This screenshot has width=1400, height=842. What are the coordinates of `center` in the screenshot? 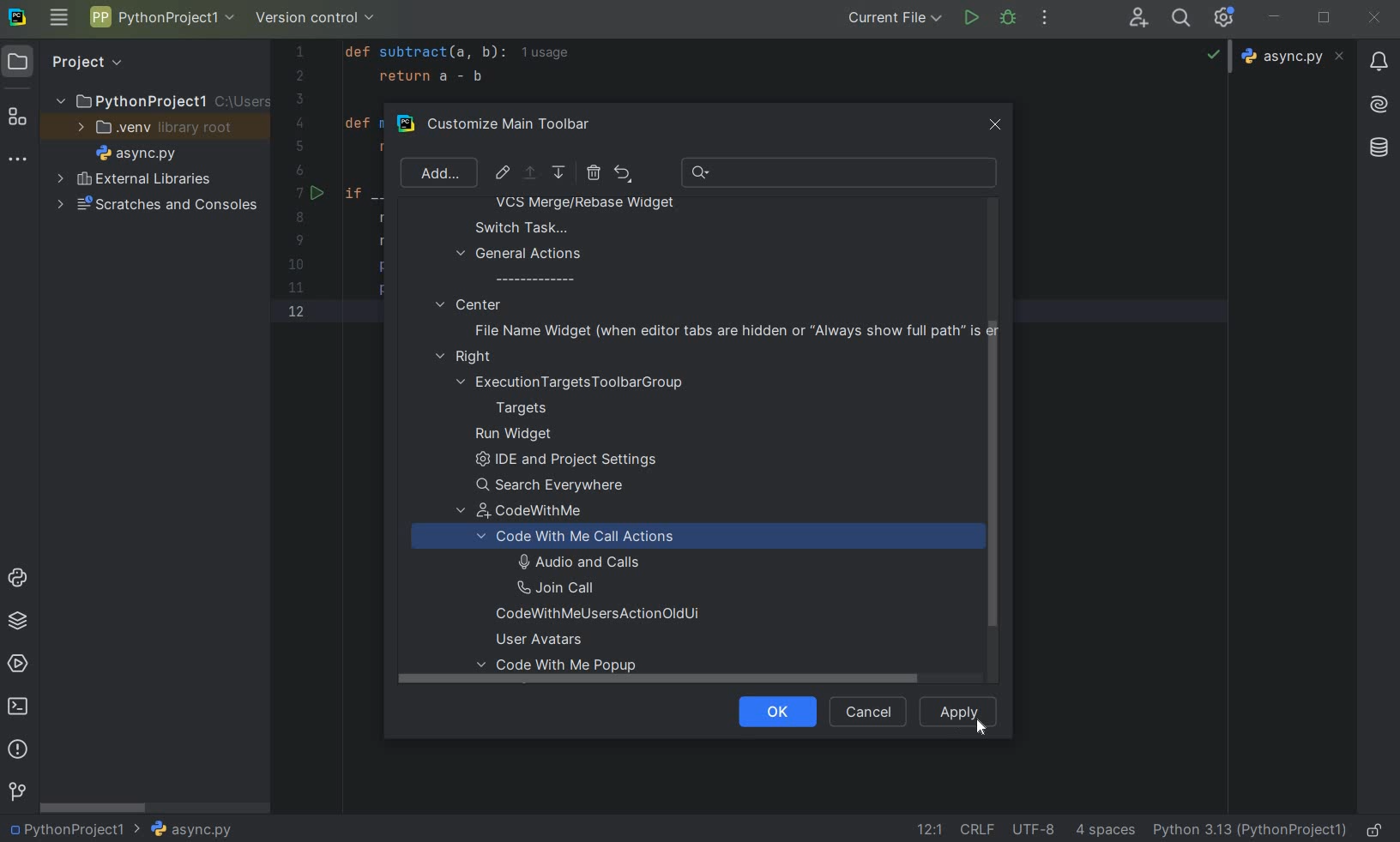 It's located at (468, 304).